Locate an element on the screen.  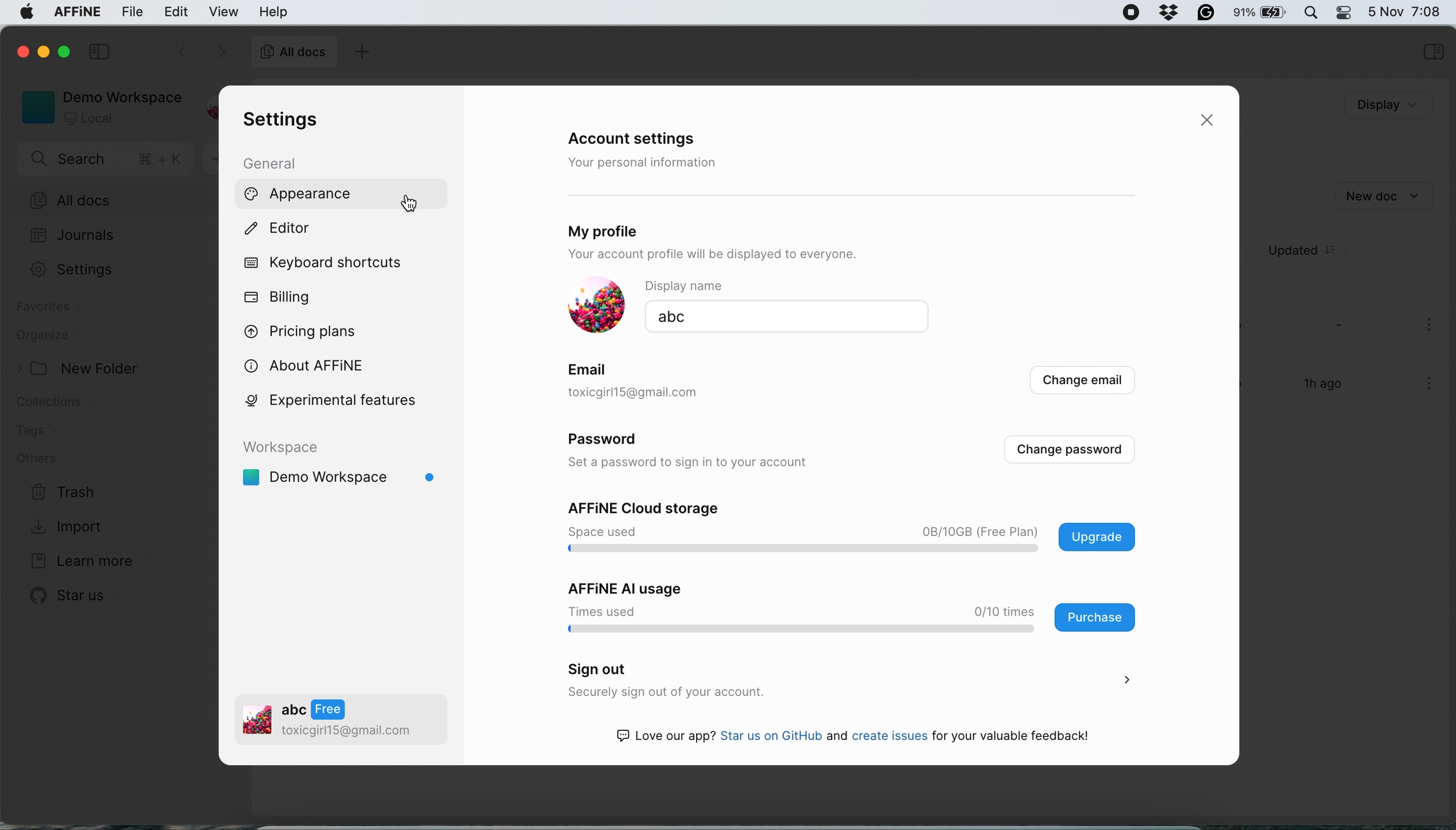
control center is located at coordinates (1348, 14).